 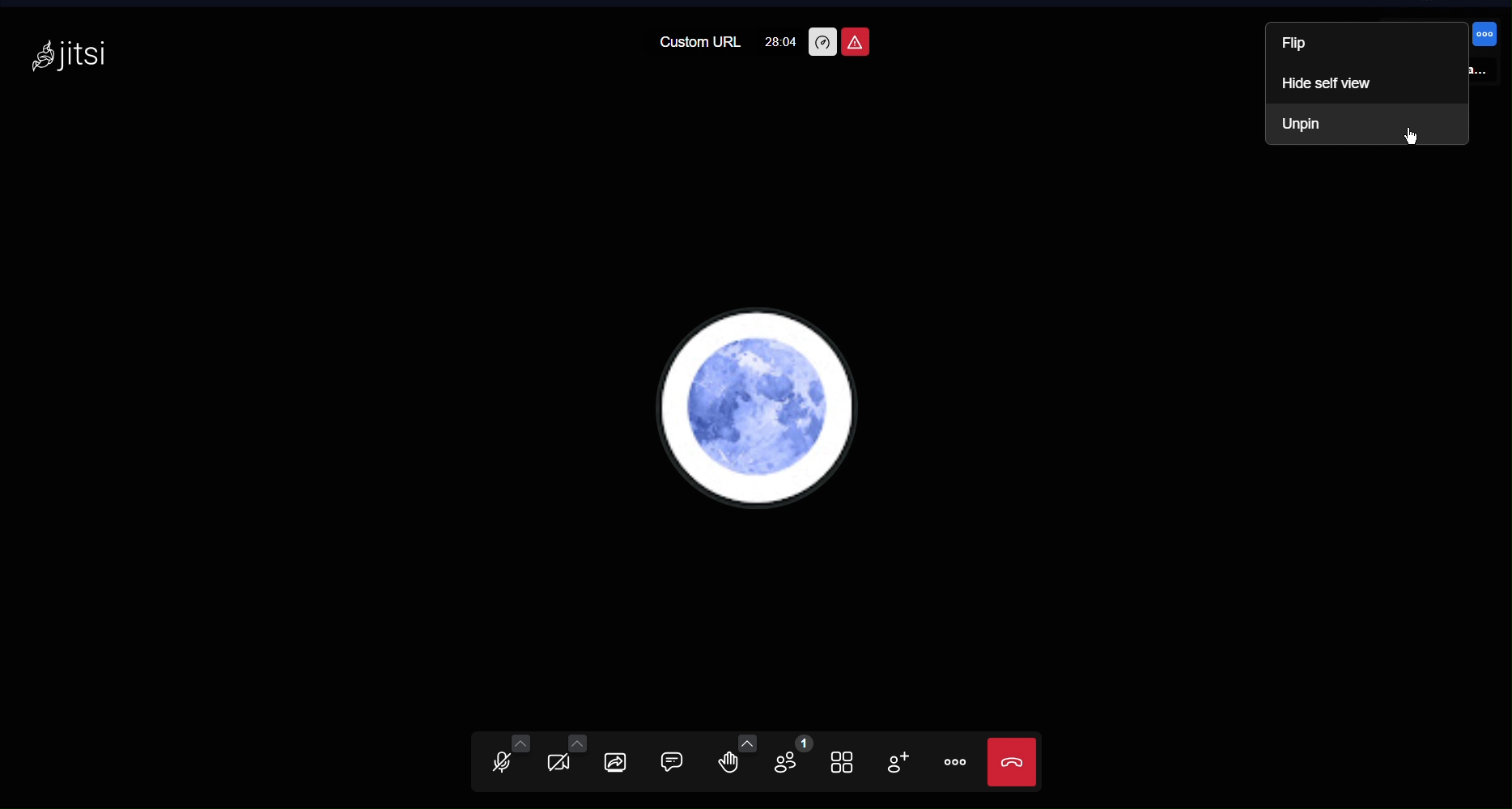 I want to click on Custom URL, so click(x=699, y=44).